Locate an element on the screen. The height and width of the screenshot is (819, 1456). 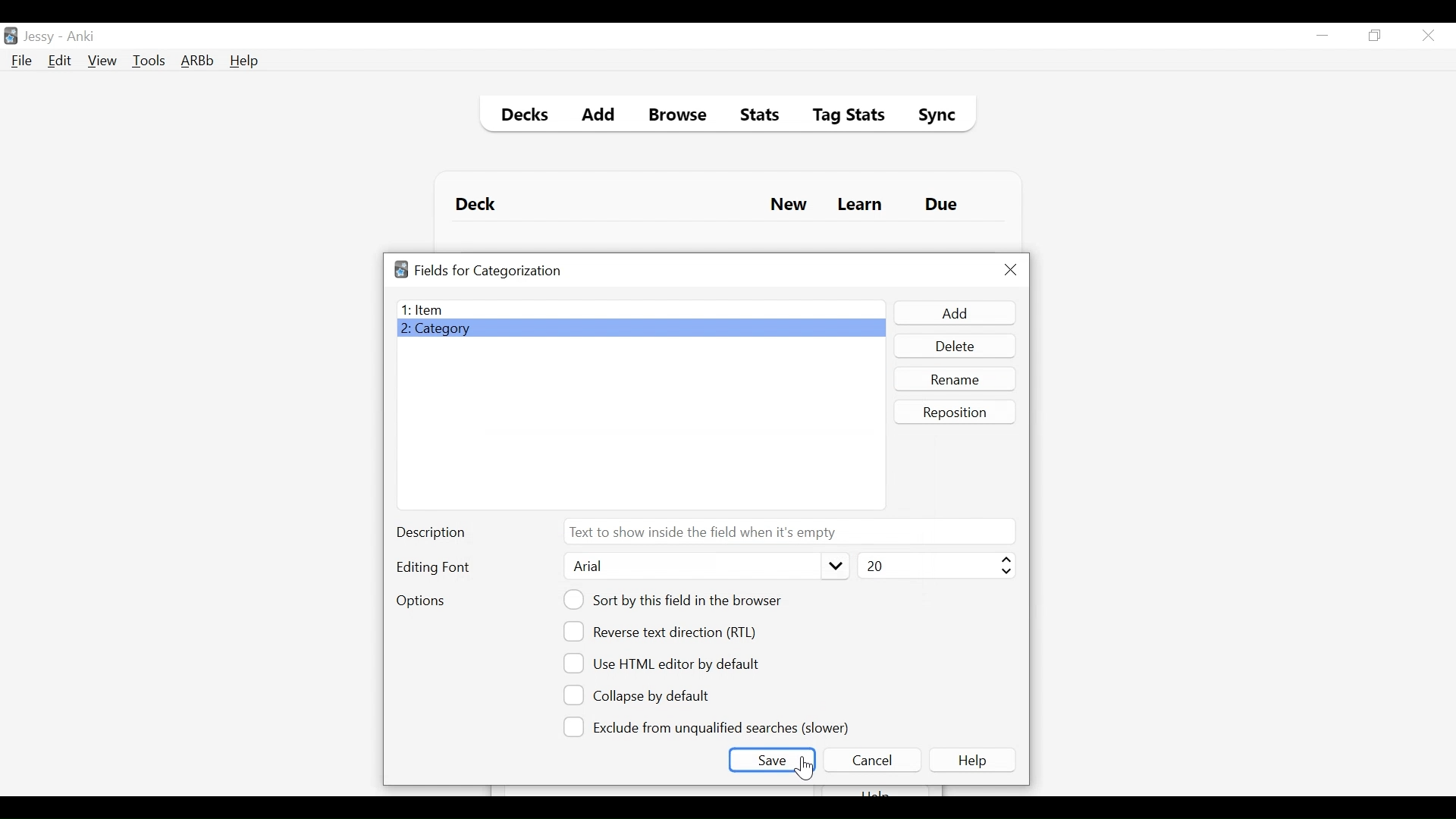
Adjust Font Size is located at coordinates (934, 566).